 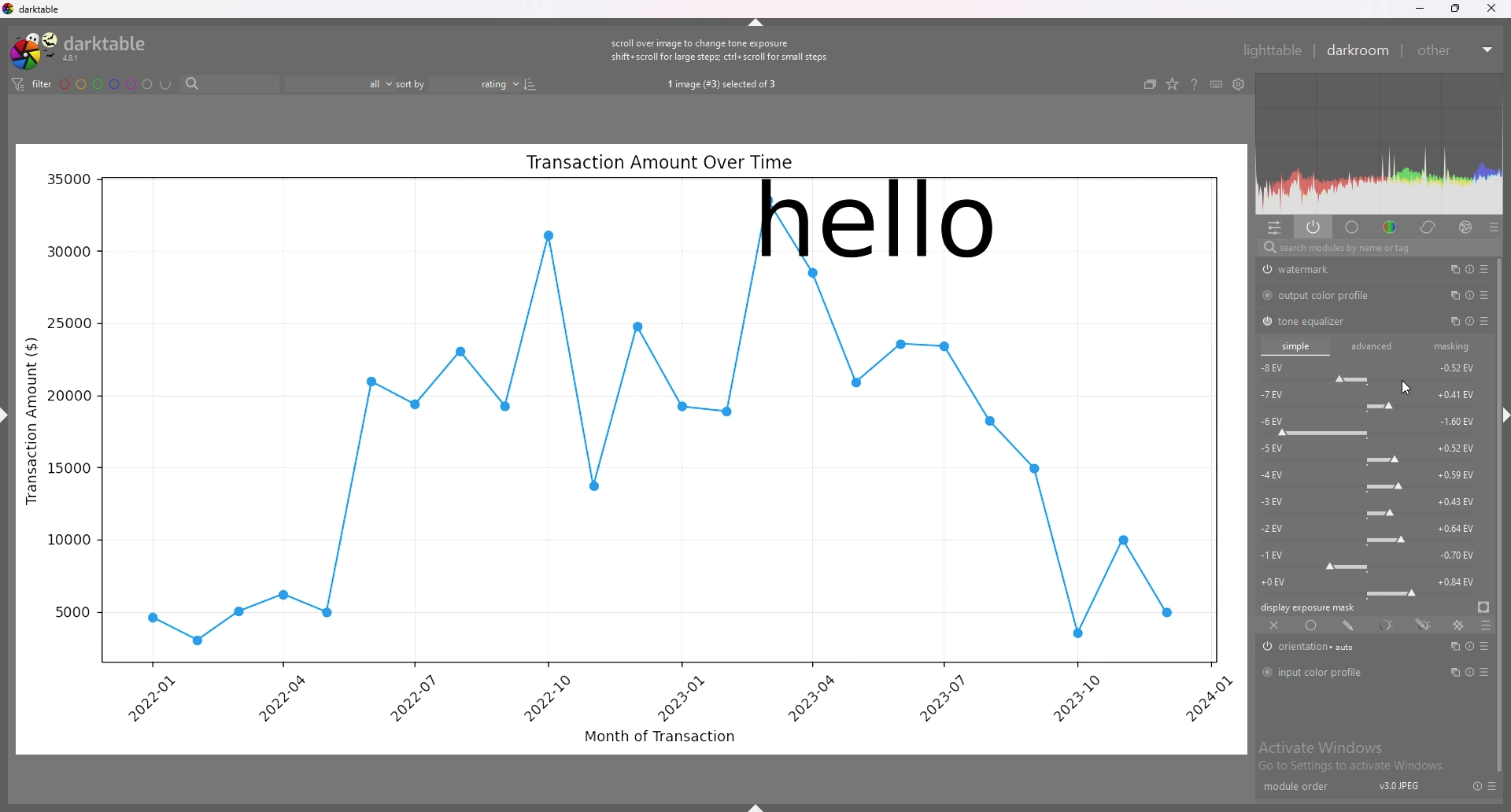 What do you see at coordinates (1372, 559) in the screenshot?
I see `-1 EV force` at bounding box center [1372, 559].